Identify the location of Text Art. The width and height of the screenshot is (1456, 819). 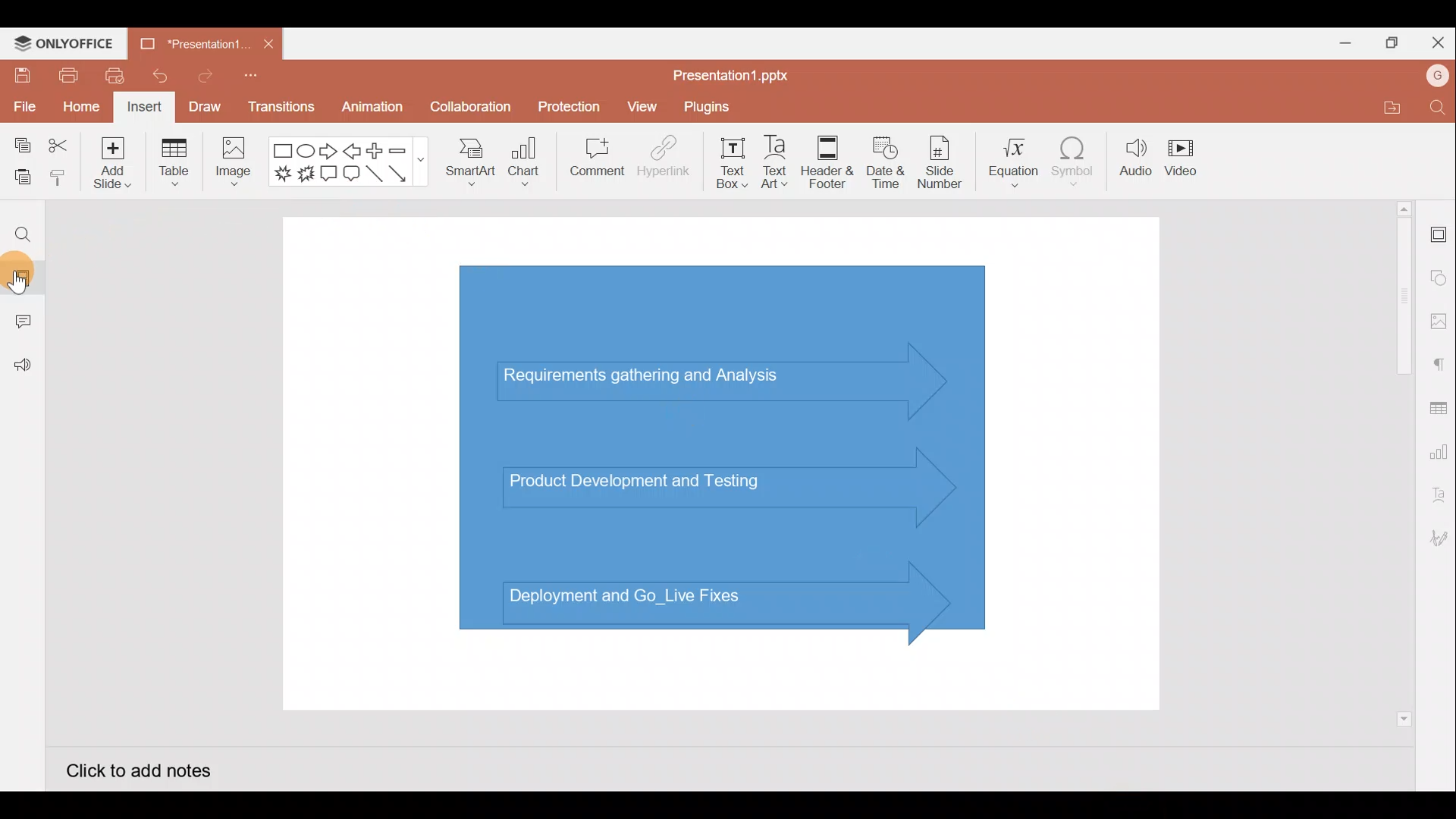
(780, 163).